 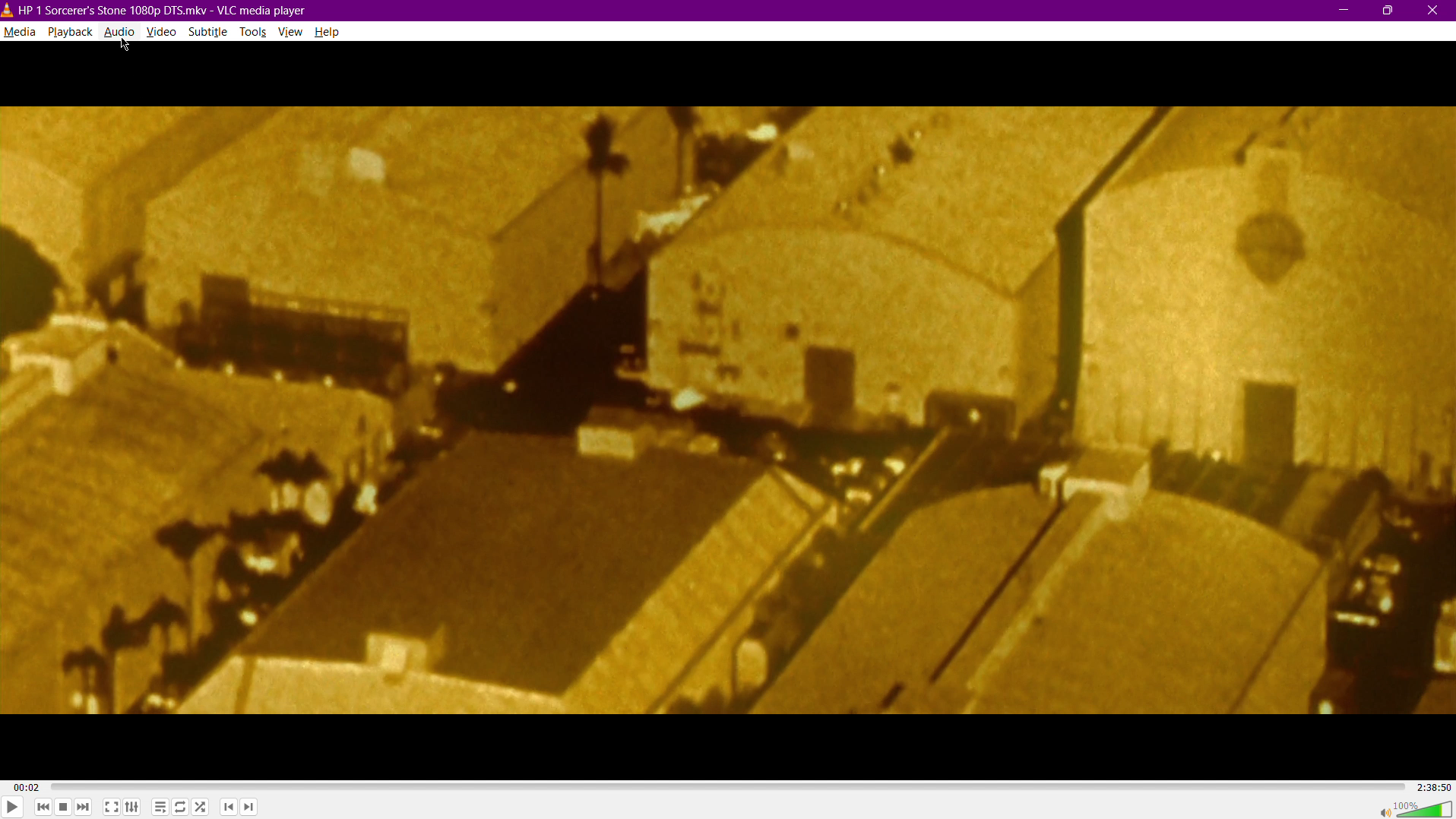 I want to click on Toggle Loop, so click(x=180, y=808).